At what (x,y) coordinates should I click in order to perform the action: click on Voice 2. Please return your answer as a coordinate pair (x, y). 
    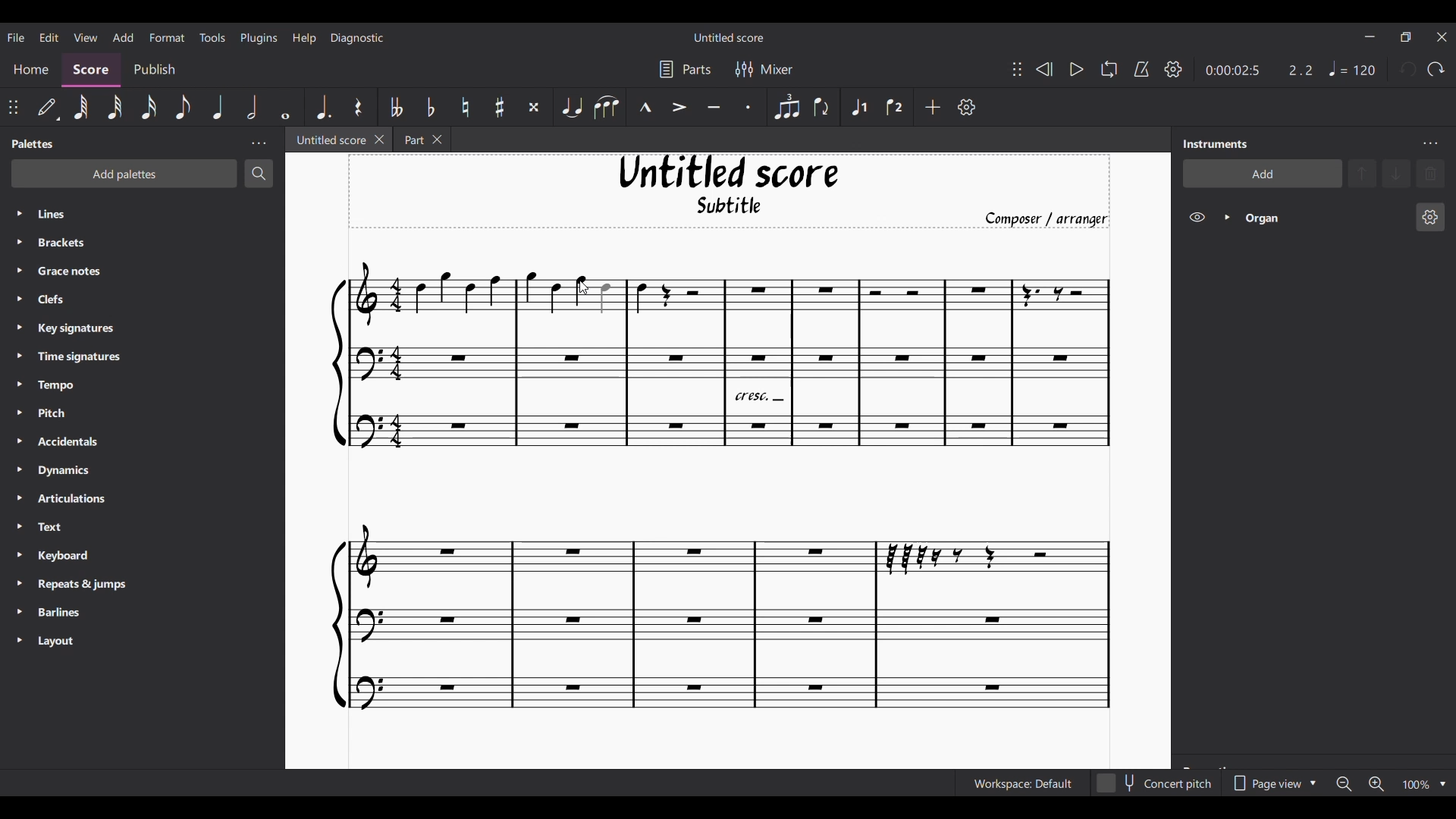
    Looking at the image, I should click on (895, 107).